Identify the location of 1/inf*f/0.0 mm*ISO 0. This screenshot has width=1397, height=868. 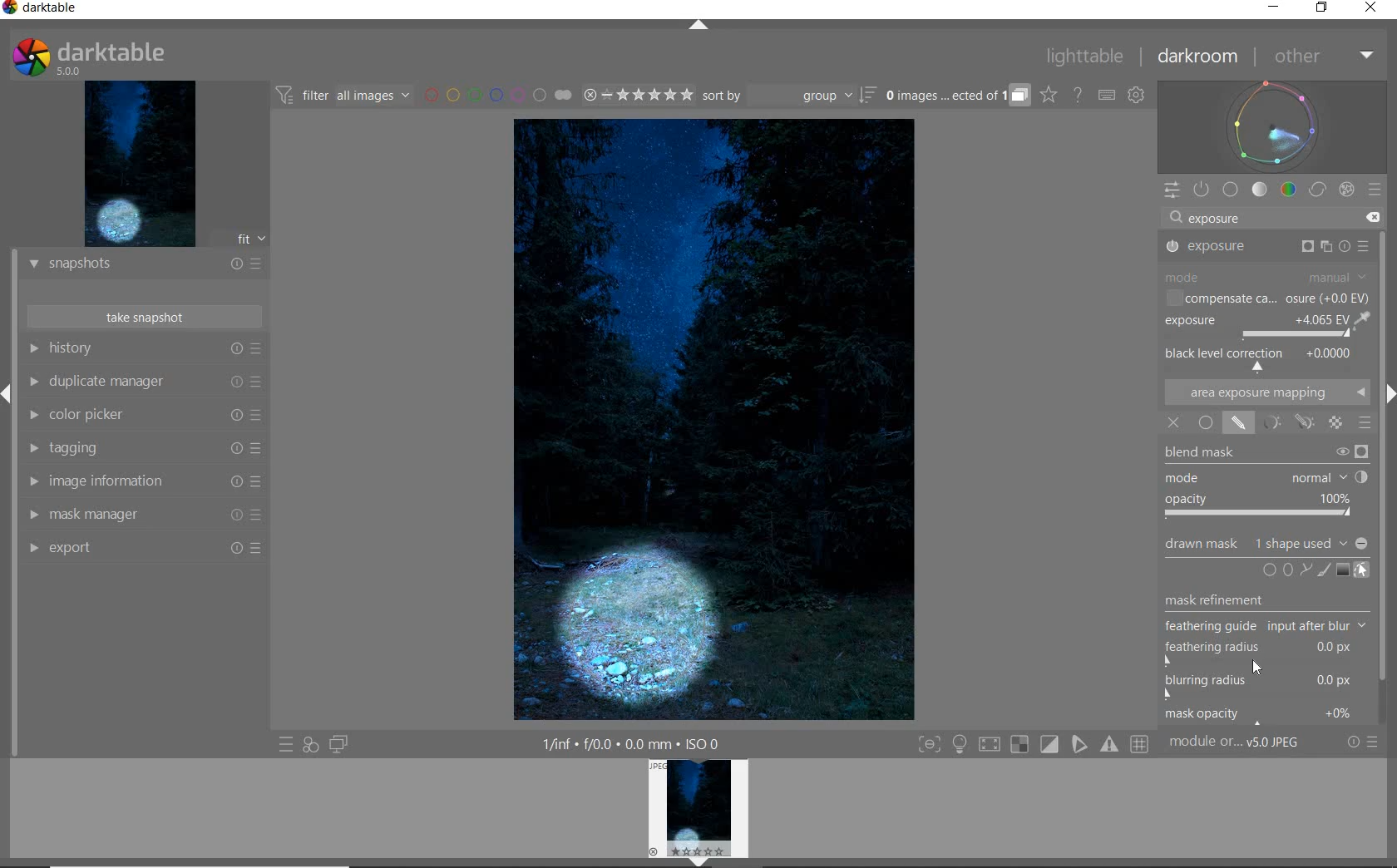
(627, 742).